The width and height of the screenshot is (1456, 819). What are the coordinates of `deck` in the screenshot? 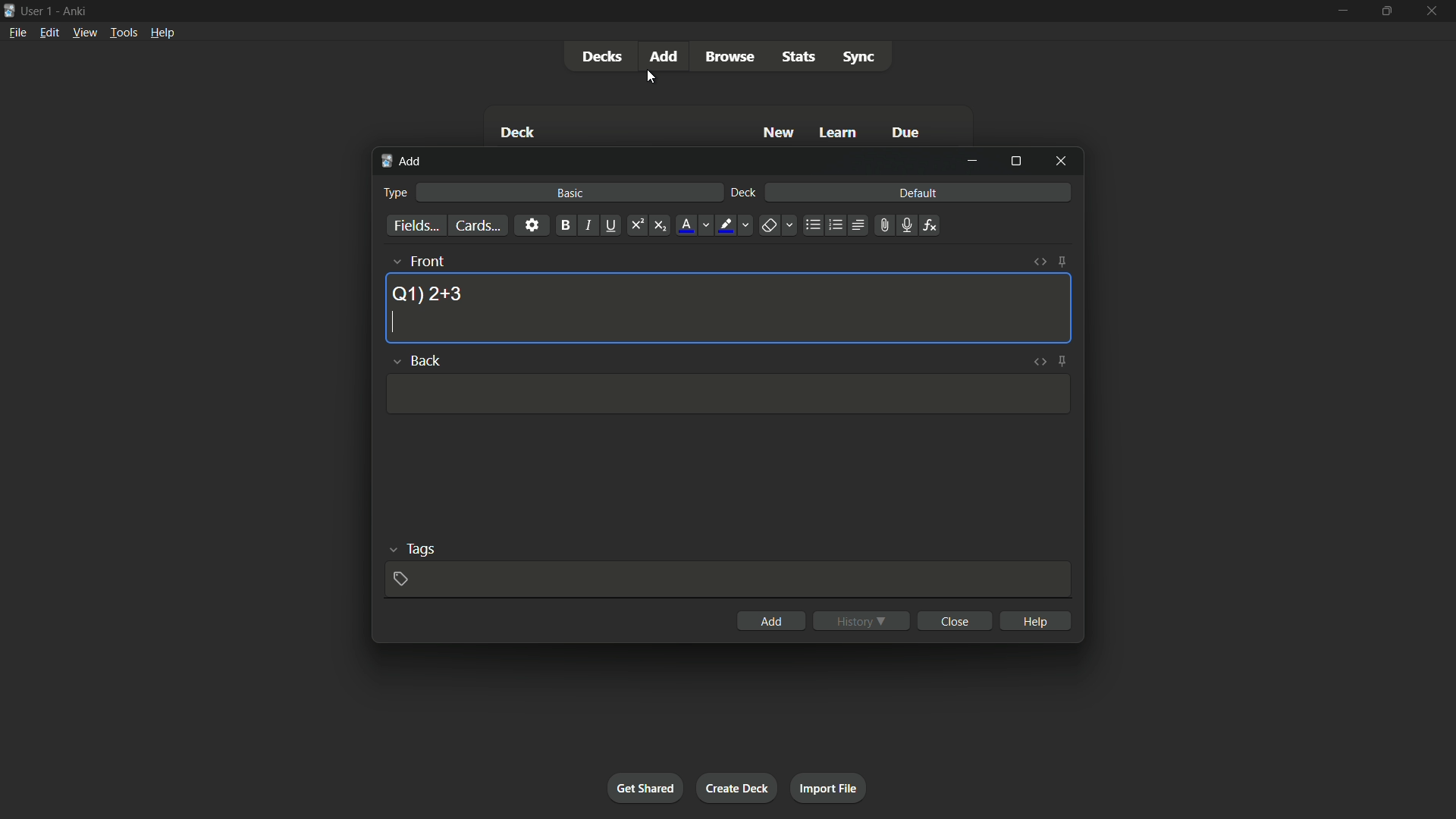 It's located at (517, 134).